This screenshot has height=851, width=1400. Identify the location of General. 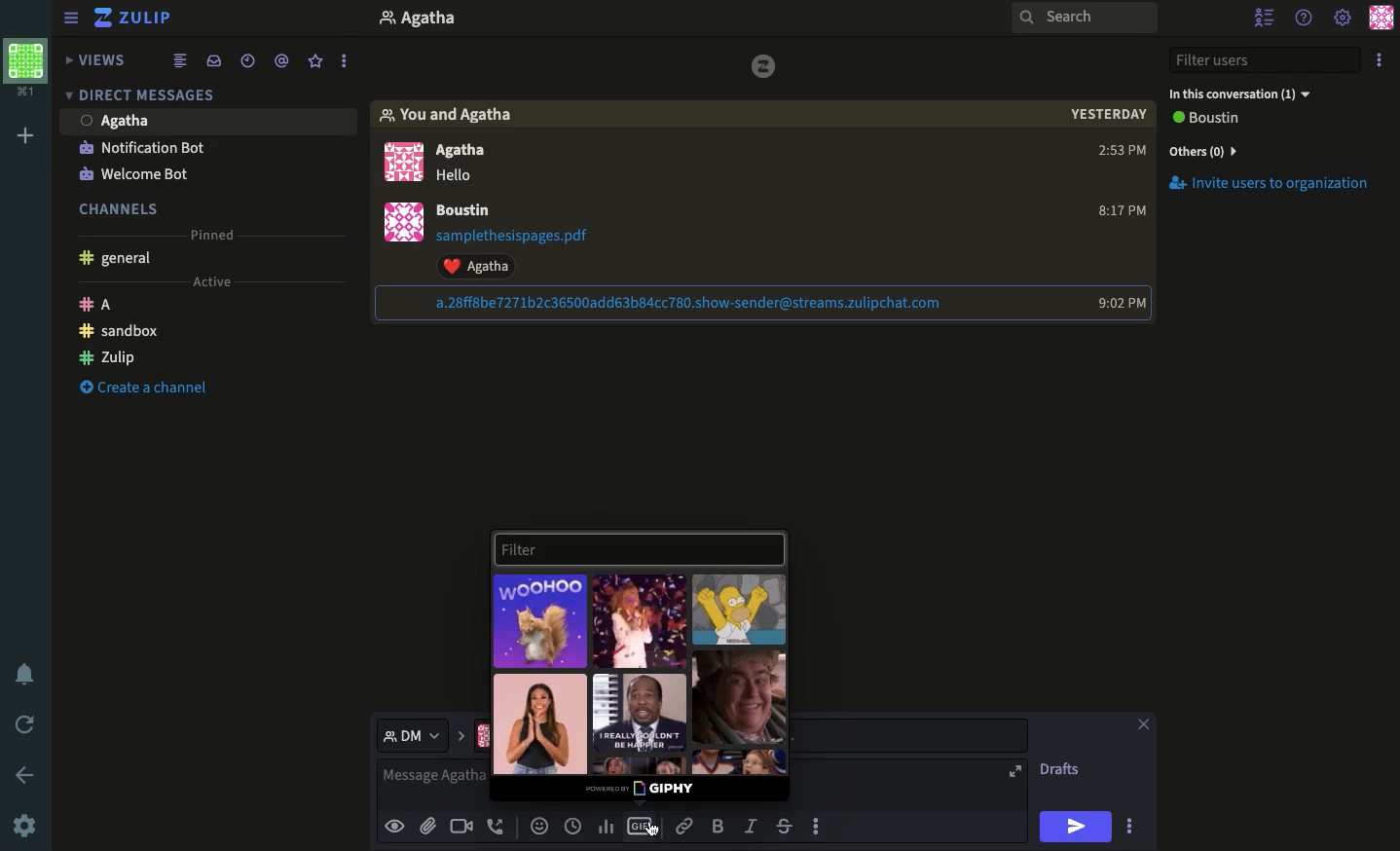
(121, 260).